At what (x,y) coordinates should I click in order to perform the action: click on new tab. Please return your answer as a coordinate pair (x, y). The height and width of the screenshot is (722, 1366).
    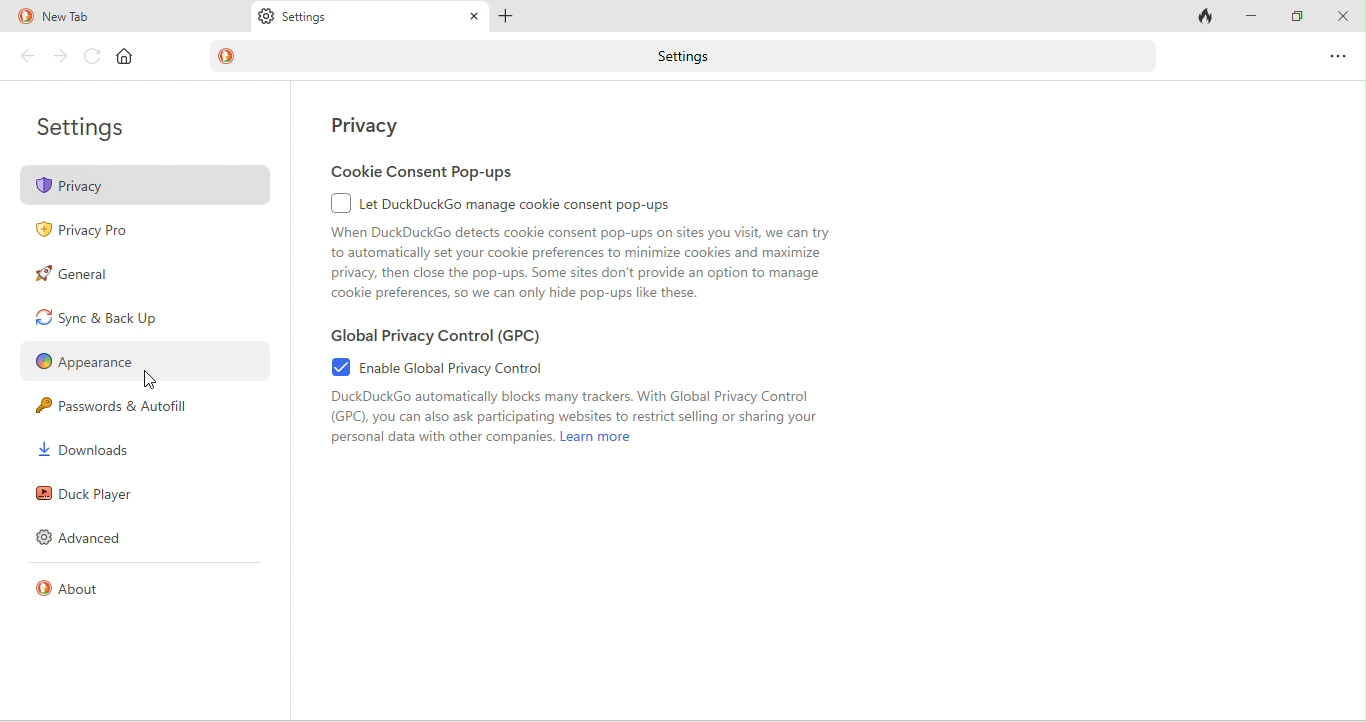
    Looking at the image, I should click on (98, 18).